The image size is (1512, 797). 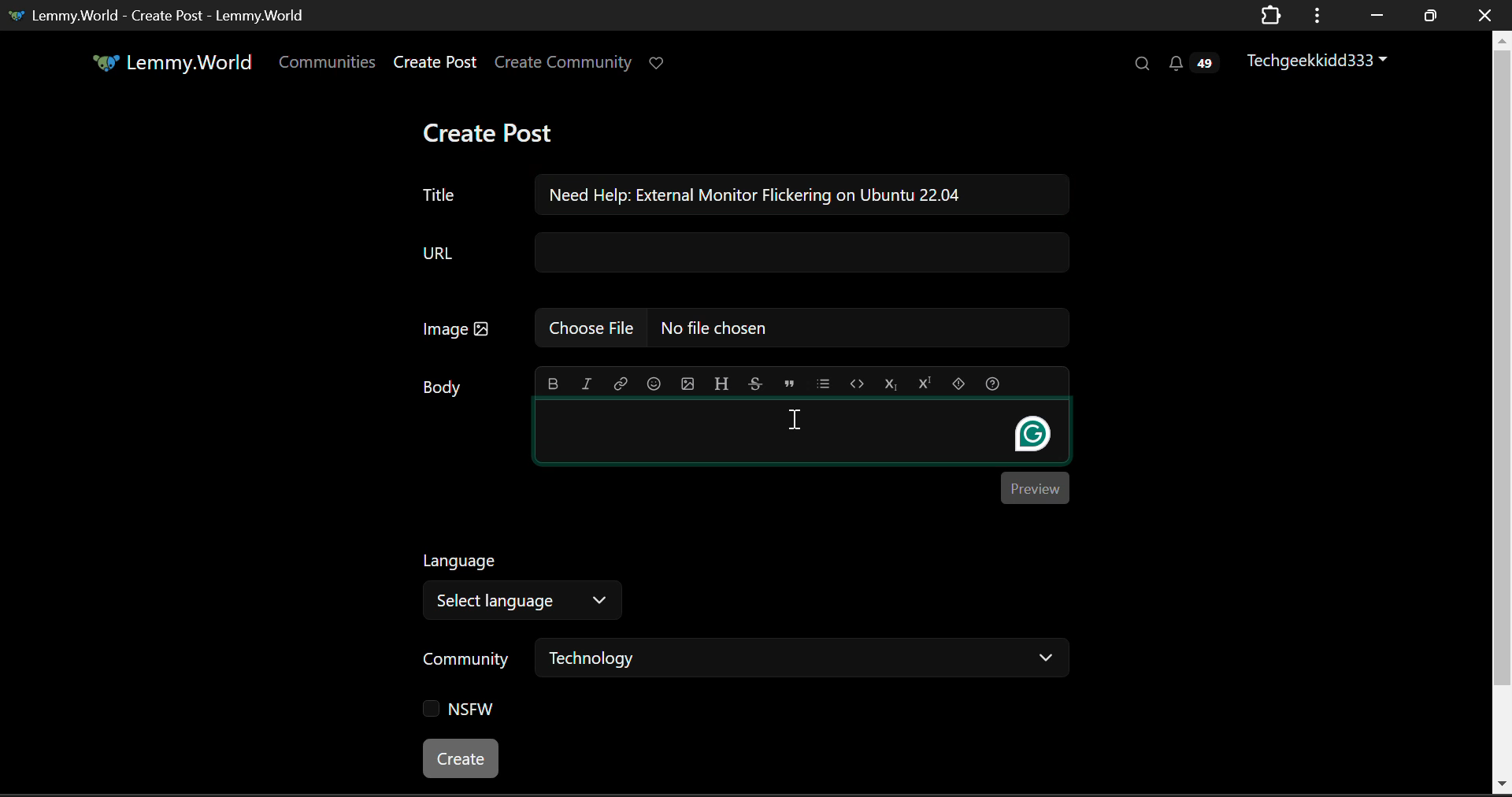 What do you see at coordinates (1487, 14) in the screenshot?
I see `Close Window` at bounding box center [1487, 14].